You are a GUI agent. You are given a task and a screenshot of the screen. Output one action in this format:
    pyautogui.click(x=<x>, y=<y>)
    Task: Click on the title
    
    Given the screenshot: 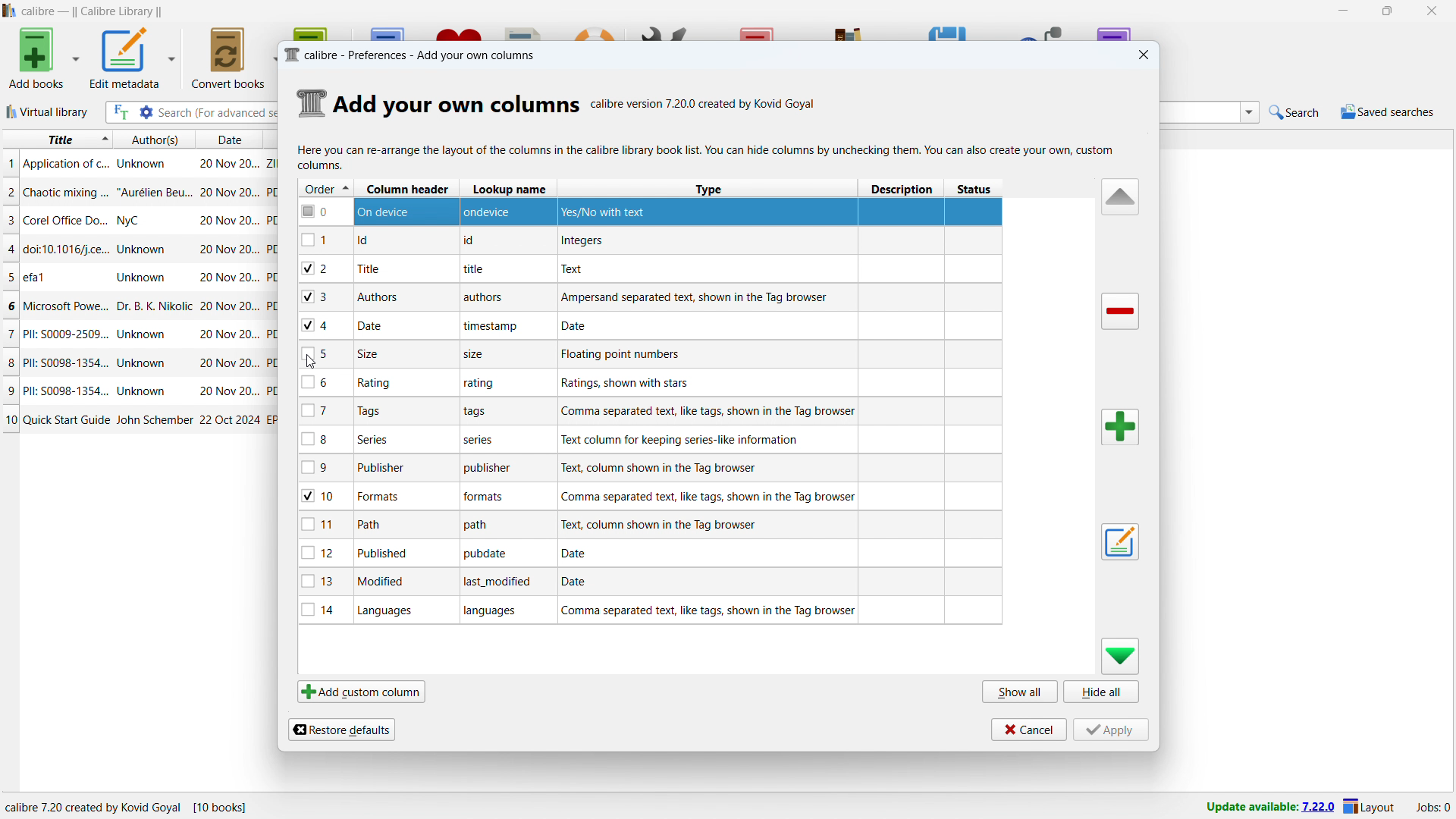 What is the action you would take?
    pyautogui.click(x=66, y=307)
    